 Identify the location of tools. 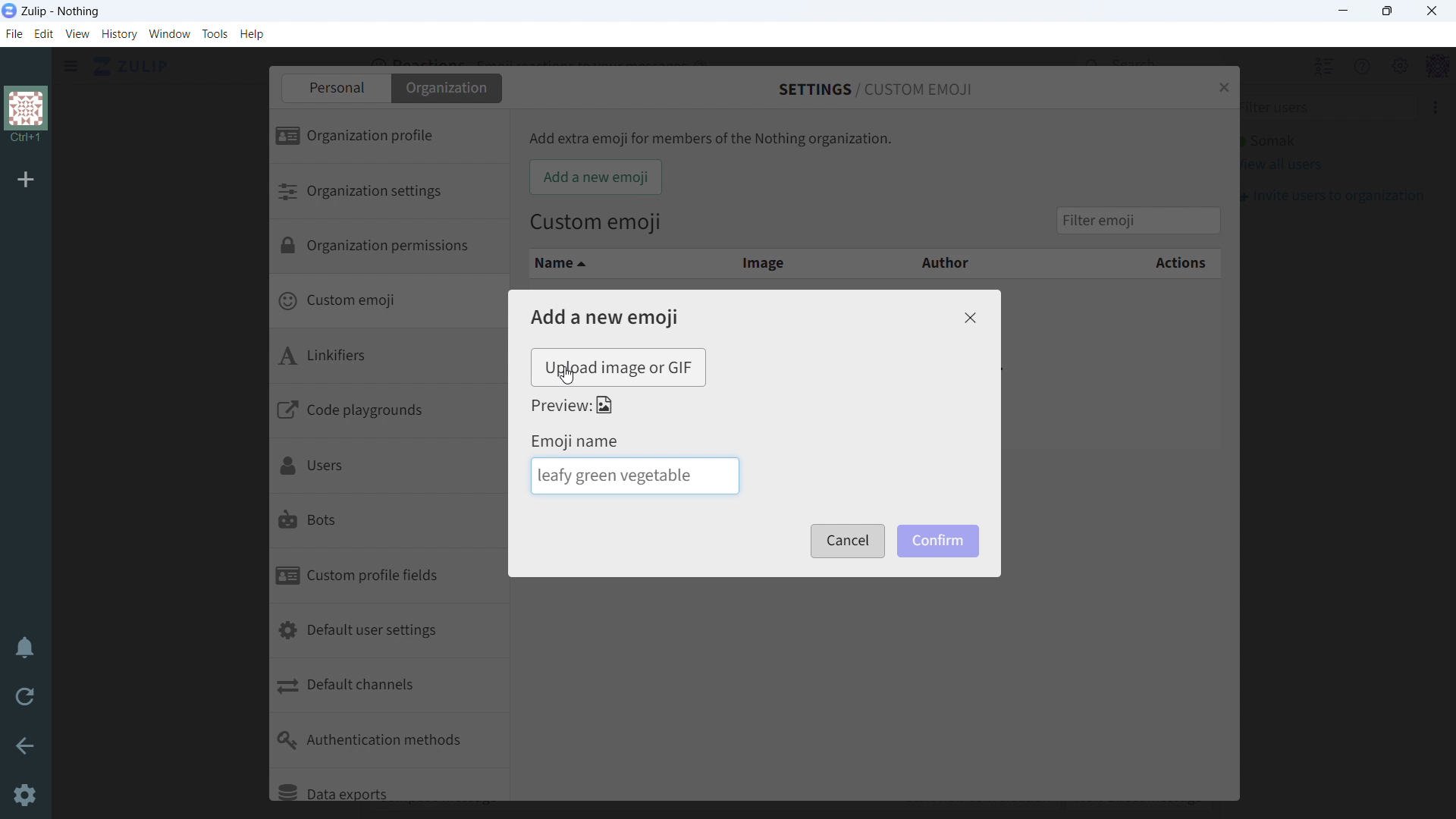
(215, 33).